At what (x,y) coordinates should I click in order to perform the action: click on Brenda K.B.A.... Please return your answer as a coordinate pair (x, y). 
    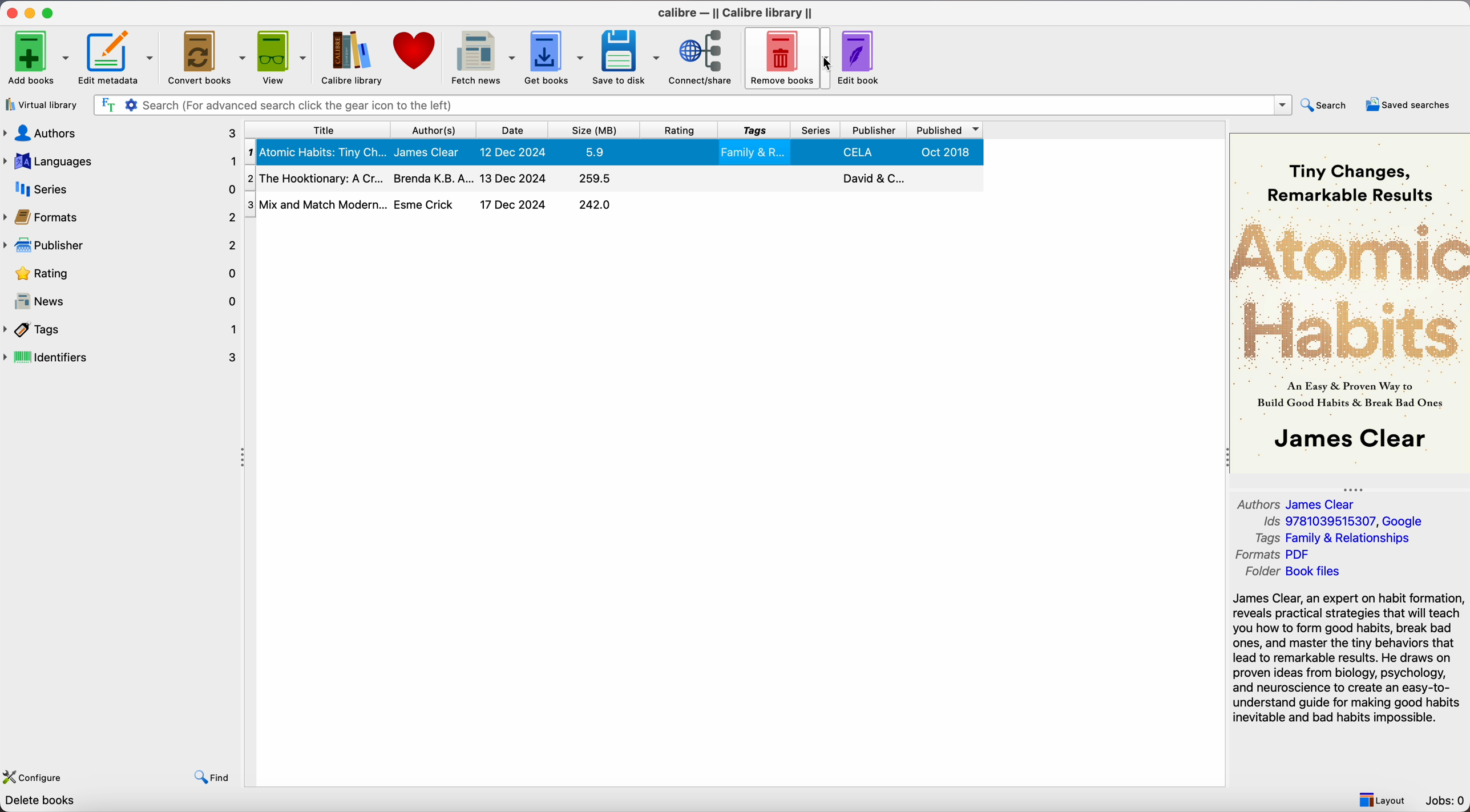
    Looking at the image, I should click on (433, 177).